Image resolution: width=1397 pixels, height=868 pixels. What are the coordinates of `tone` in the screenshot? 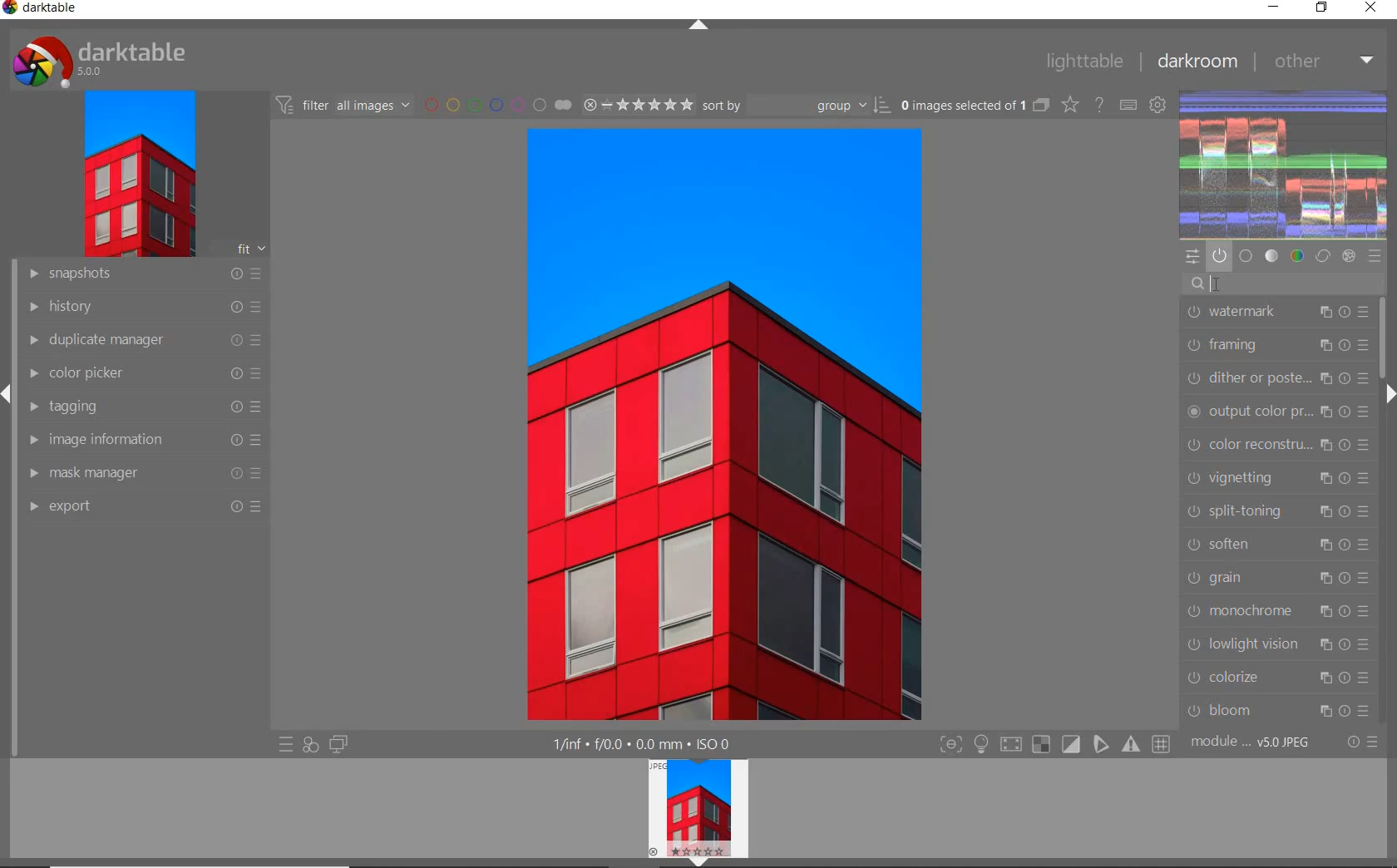 It's located at (1272, 255).